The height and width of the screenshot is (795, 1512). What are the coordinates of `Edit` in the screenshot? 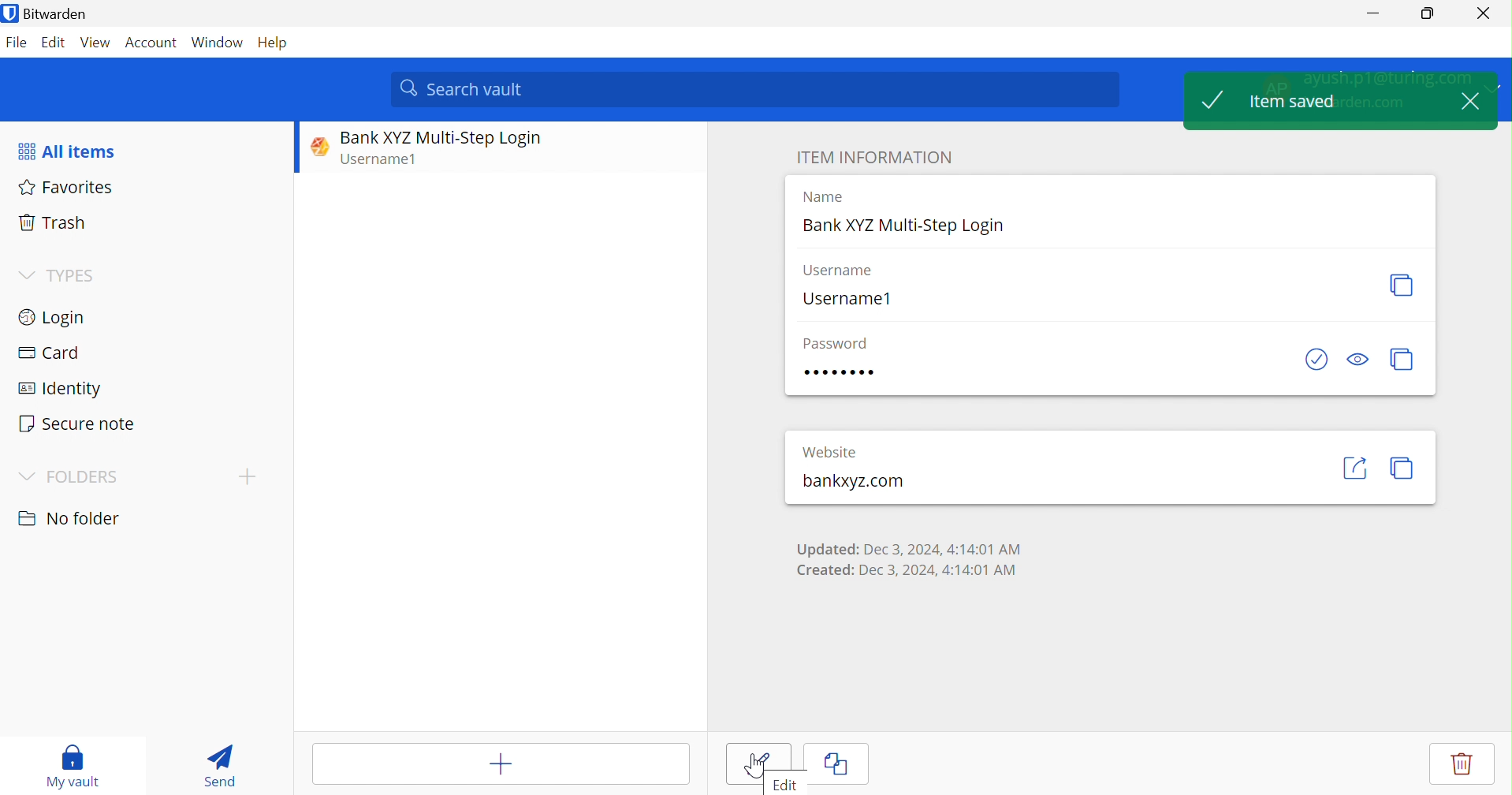 It's located at (797, 784).